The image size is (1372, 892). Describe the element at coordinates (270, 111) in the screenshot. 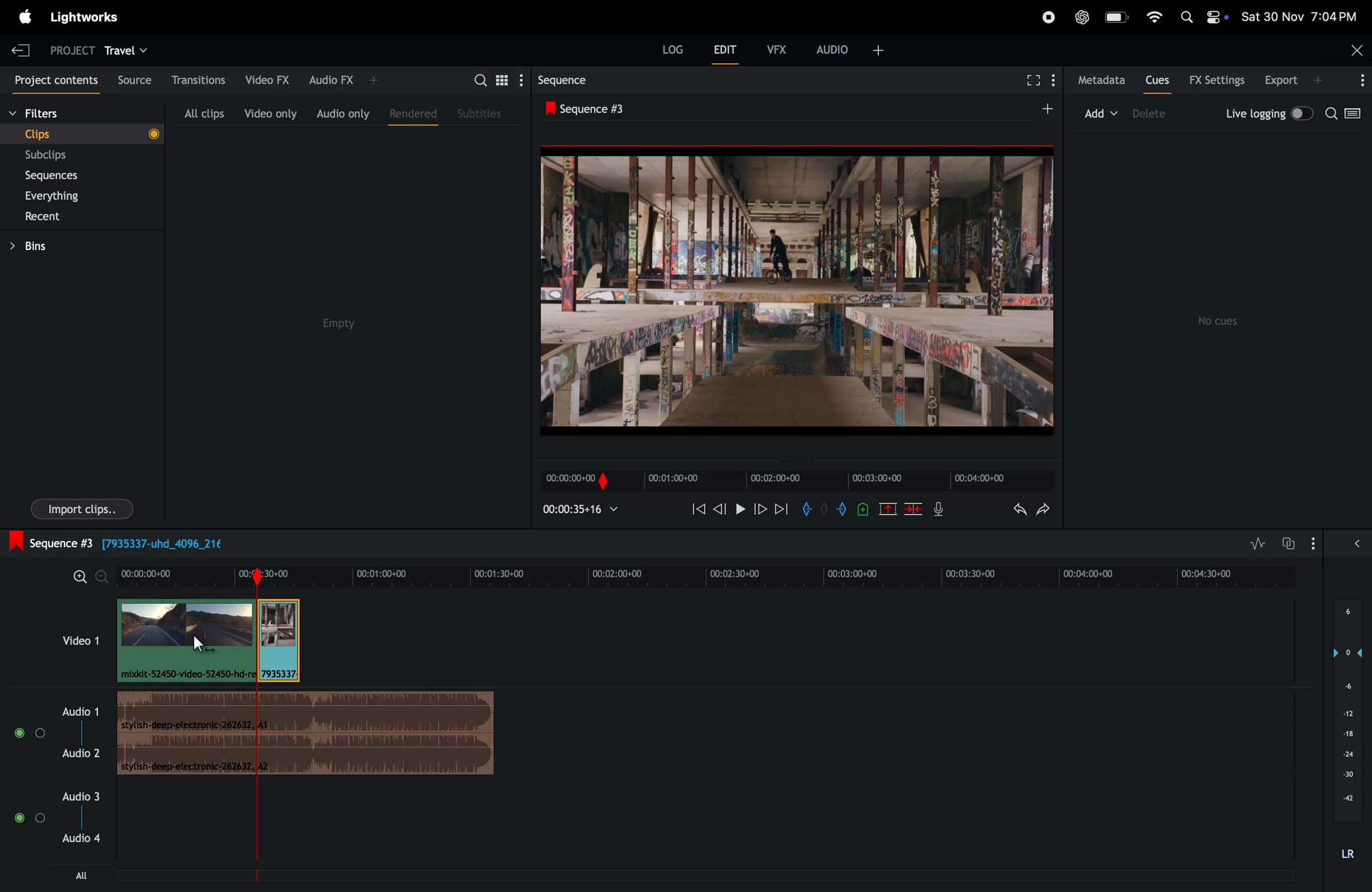

I see `videos only` at that location.